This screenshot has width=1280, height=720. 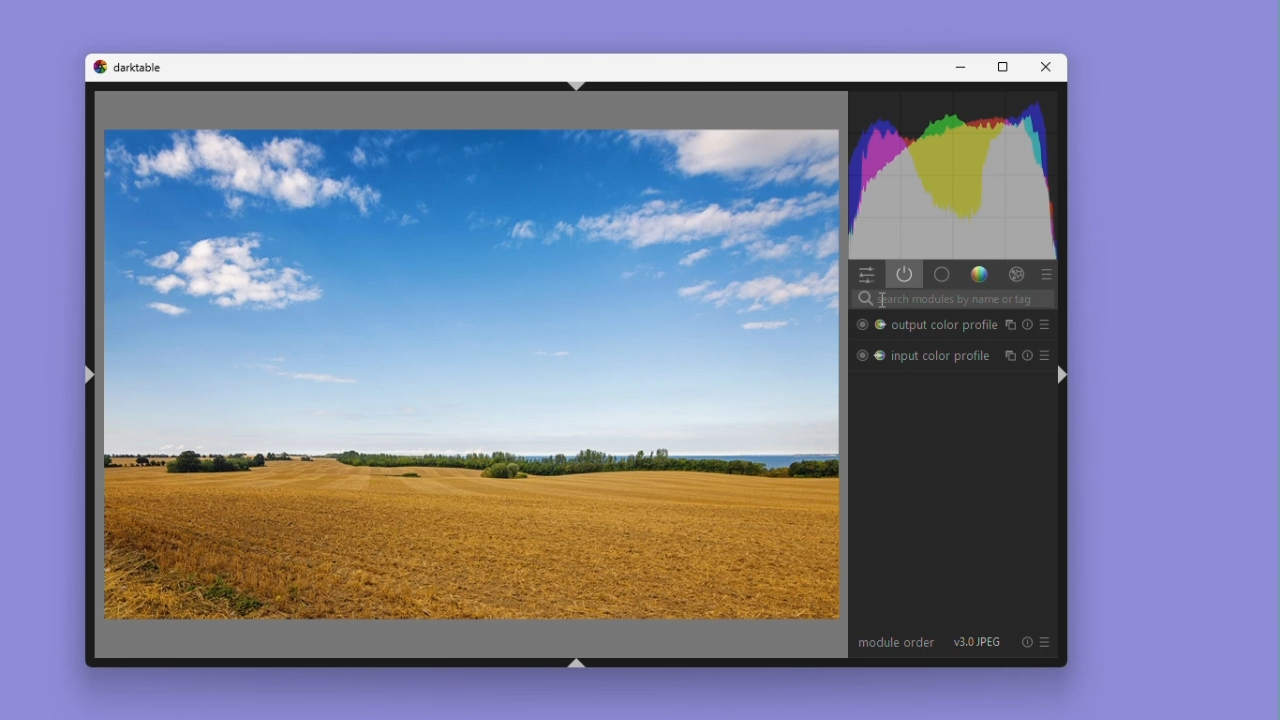 What do you see at coordinates (953, 177) in the screenshot?
I see `Histogram` at bounding box center [953, 177].